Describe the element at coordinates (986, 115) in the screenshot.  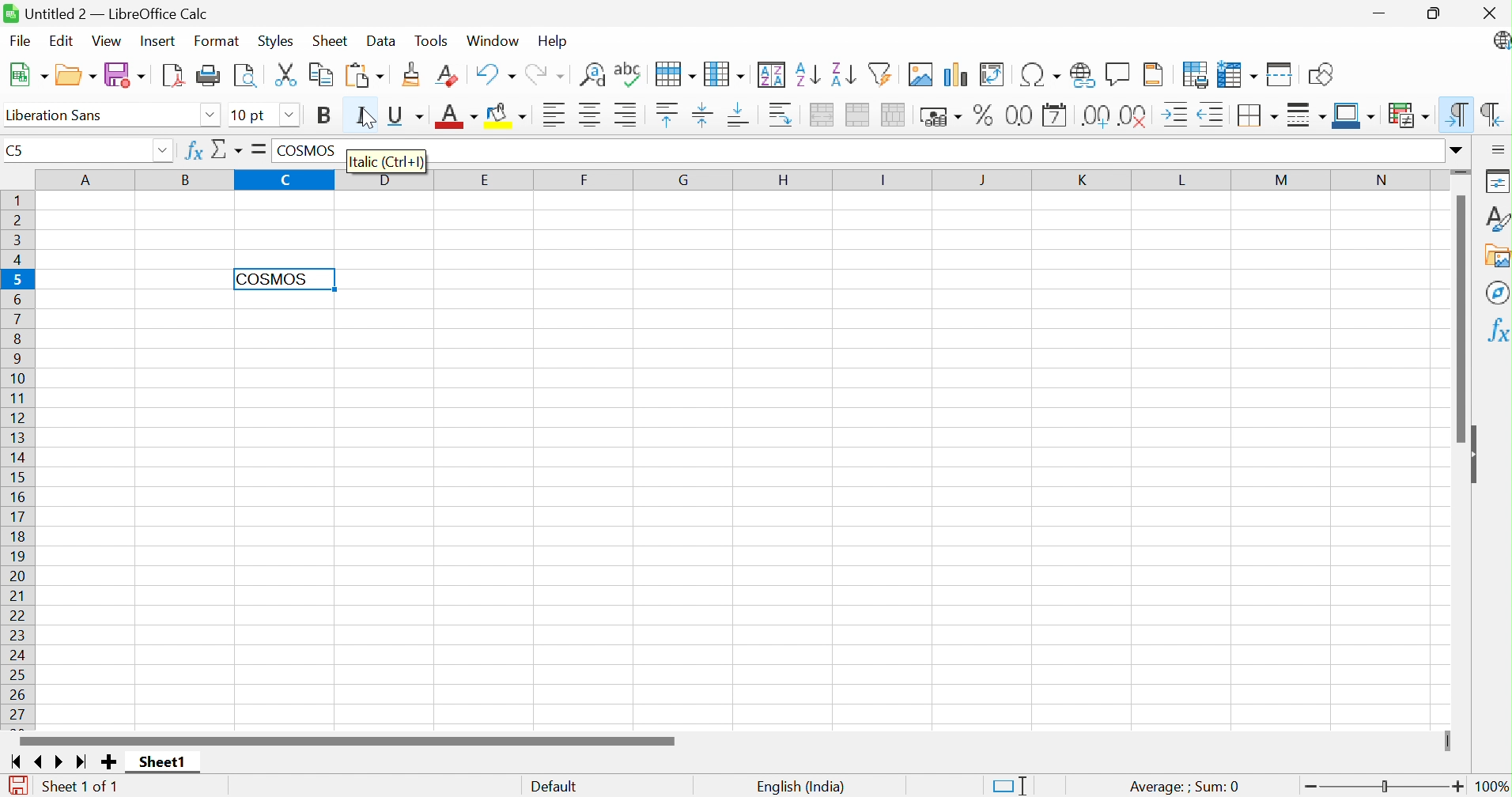
I see `Format as percent` at that location.